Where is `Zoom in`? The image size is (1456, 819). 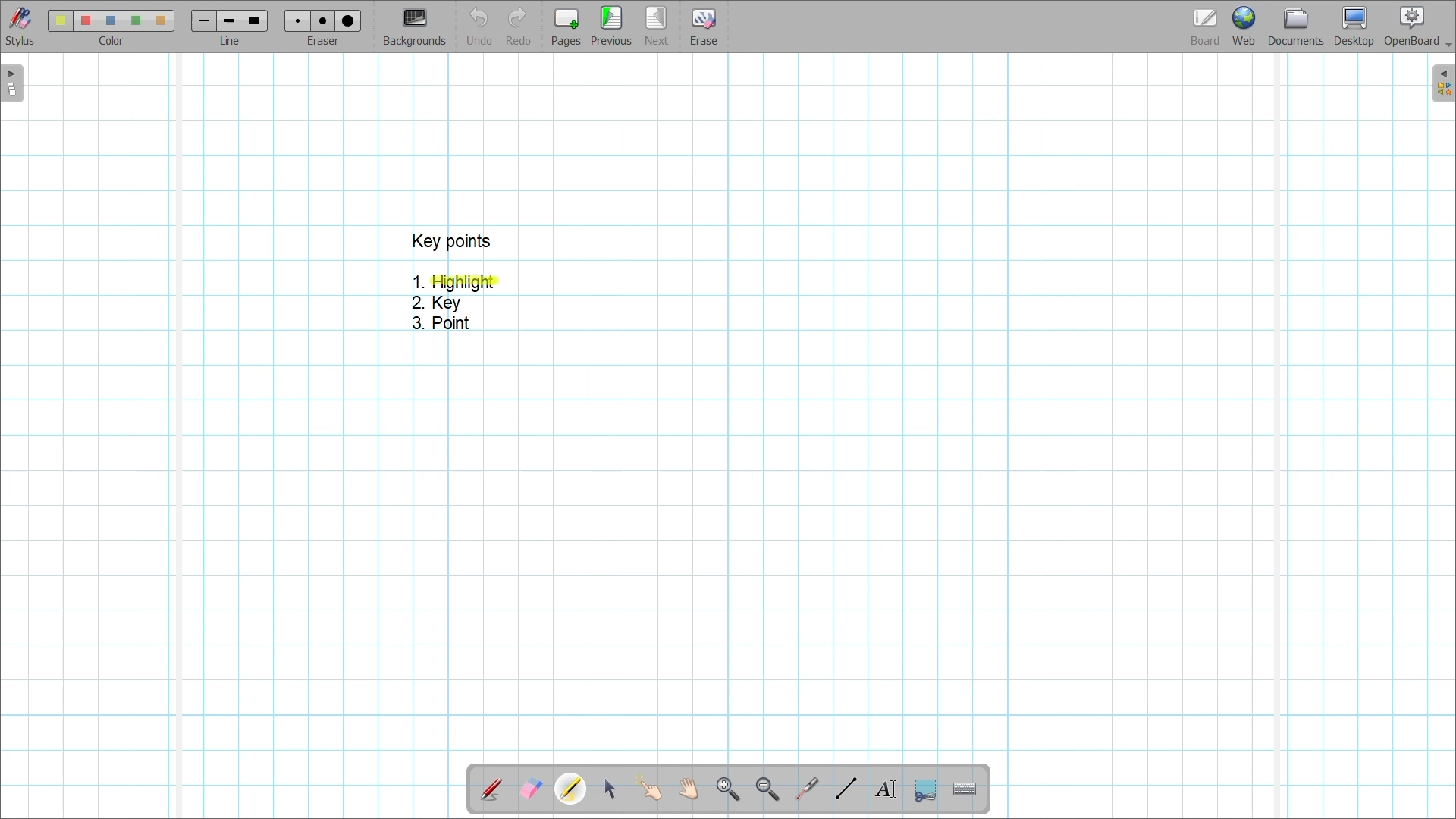
Zoom in is located at coordinates (729, 790).